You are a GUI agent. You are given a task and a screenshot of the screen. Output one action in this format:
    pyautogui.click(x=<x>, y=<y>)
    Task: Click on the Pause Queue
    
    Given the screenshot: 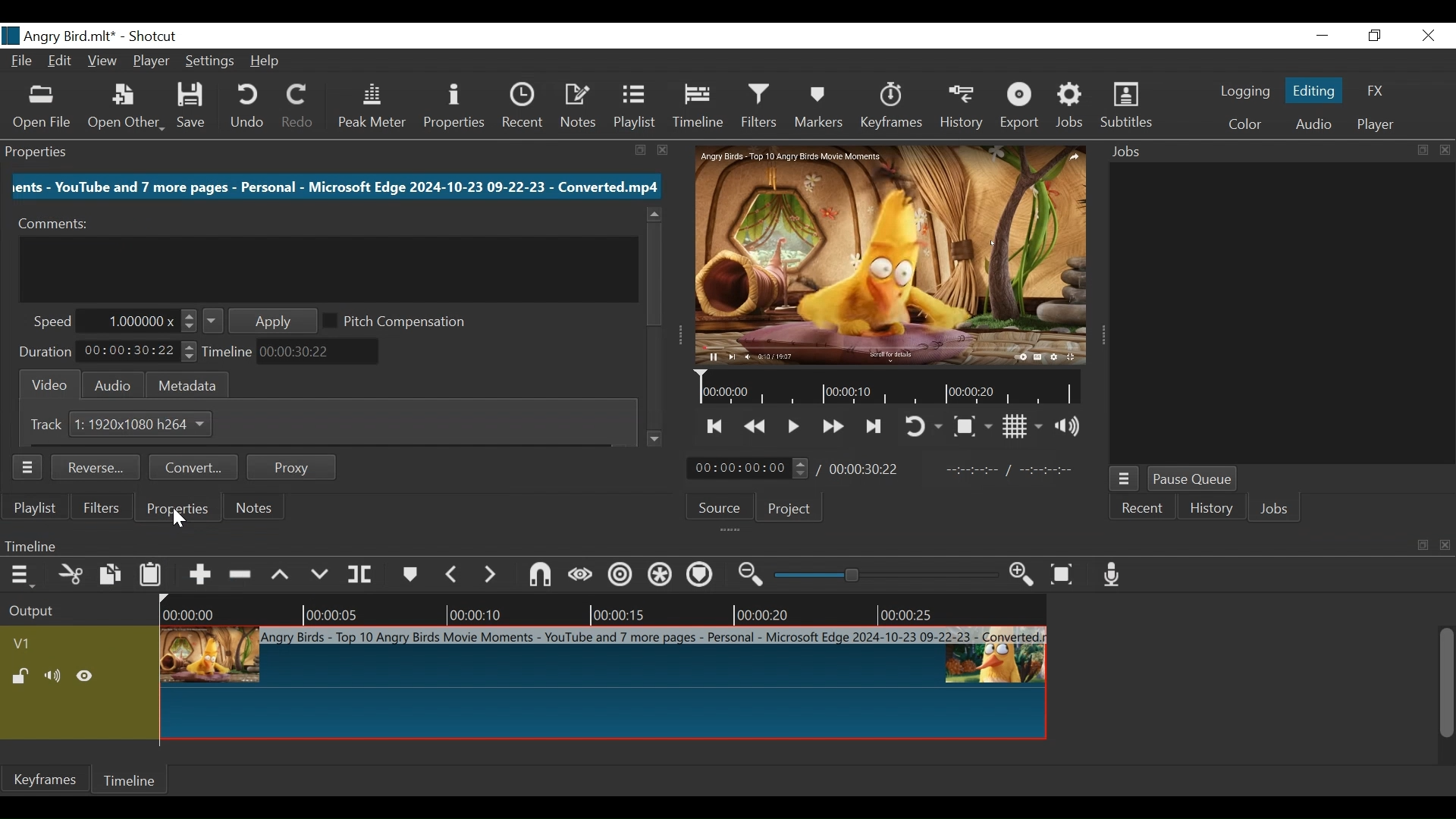 What is the action you would take?
    pyautogui.click(x=1194, y=479)
    